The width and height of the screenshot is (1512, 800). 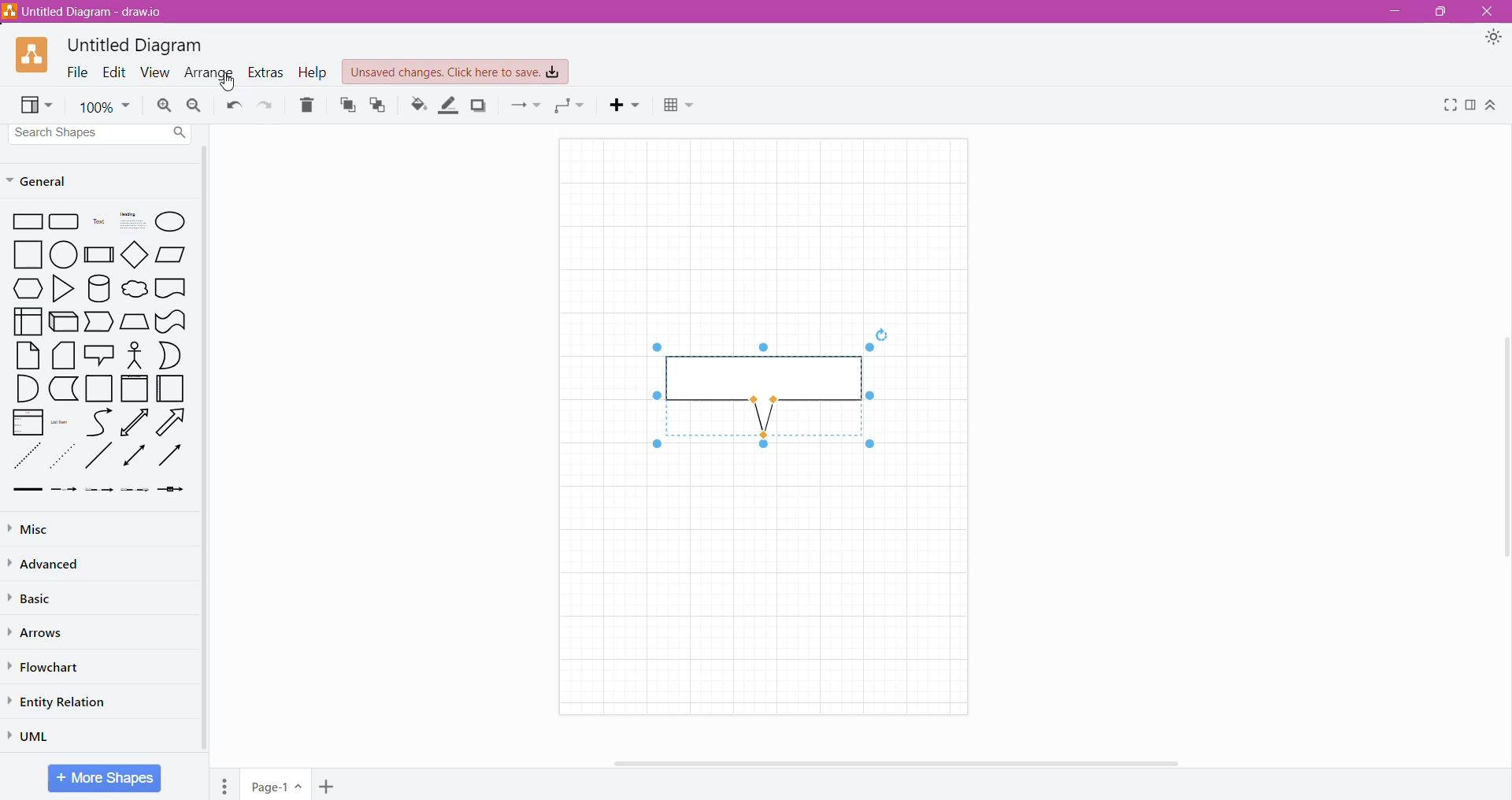 What do you see at coordinates (77, 72) in the screenshot?
I see `File` at bounding box center [77, 72].